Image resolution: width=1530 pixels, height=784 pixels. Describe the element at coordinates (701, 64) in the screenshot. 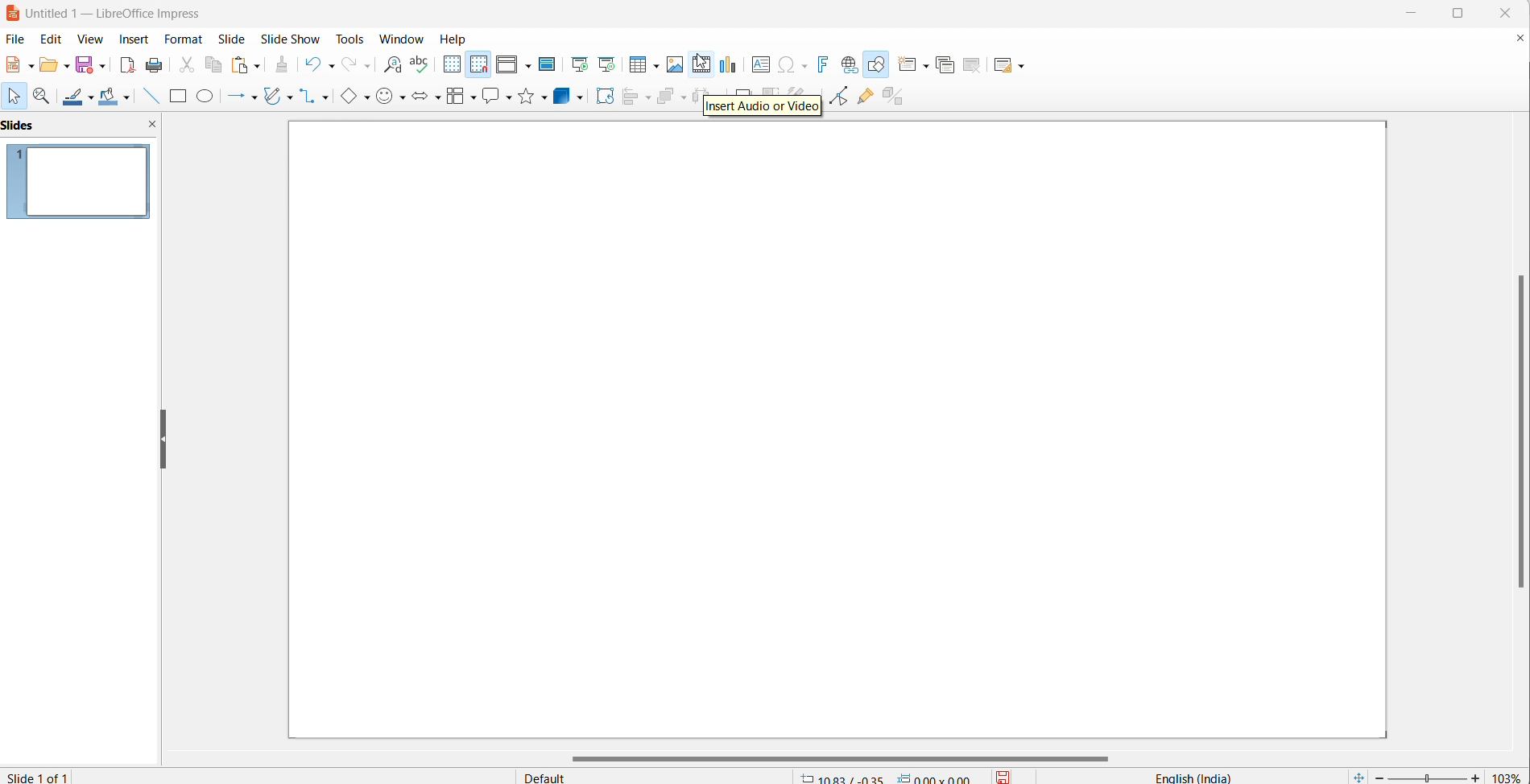

I see `insert audio or video` at that location.